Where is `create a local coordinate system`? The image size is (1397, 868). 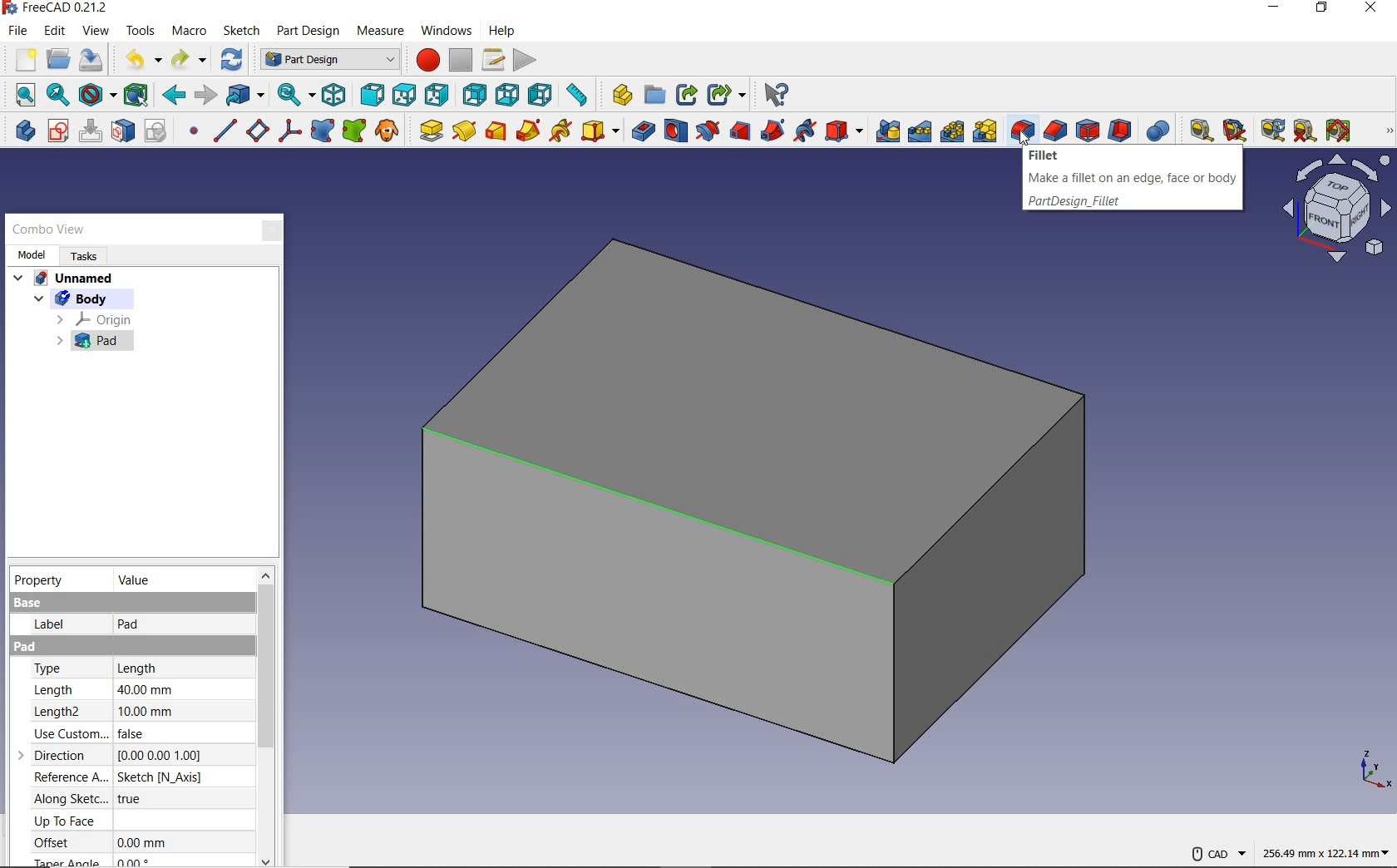 create a local coordinate system is located at coordinates (287, 131).